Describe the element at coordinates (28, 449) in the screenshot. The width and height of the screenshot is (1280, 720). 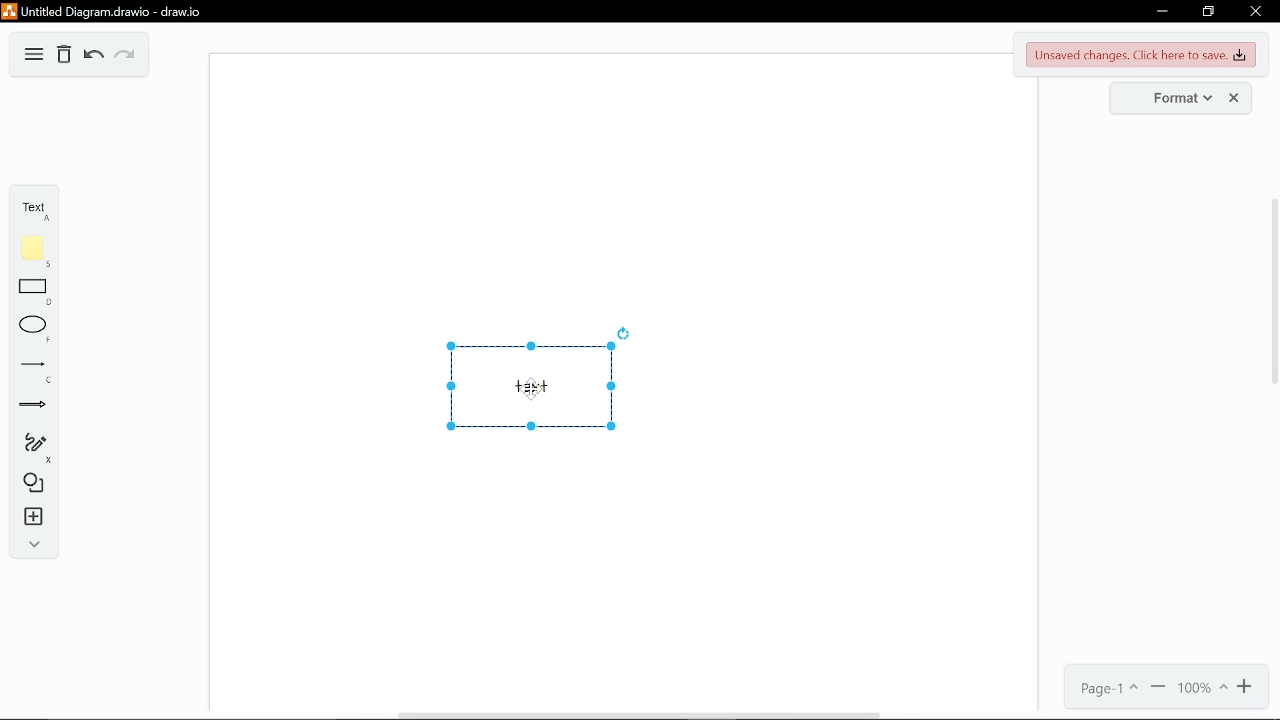
I see `freehand` at that location.